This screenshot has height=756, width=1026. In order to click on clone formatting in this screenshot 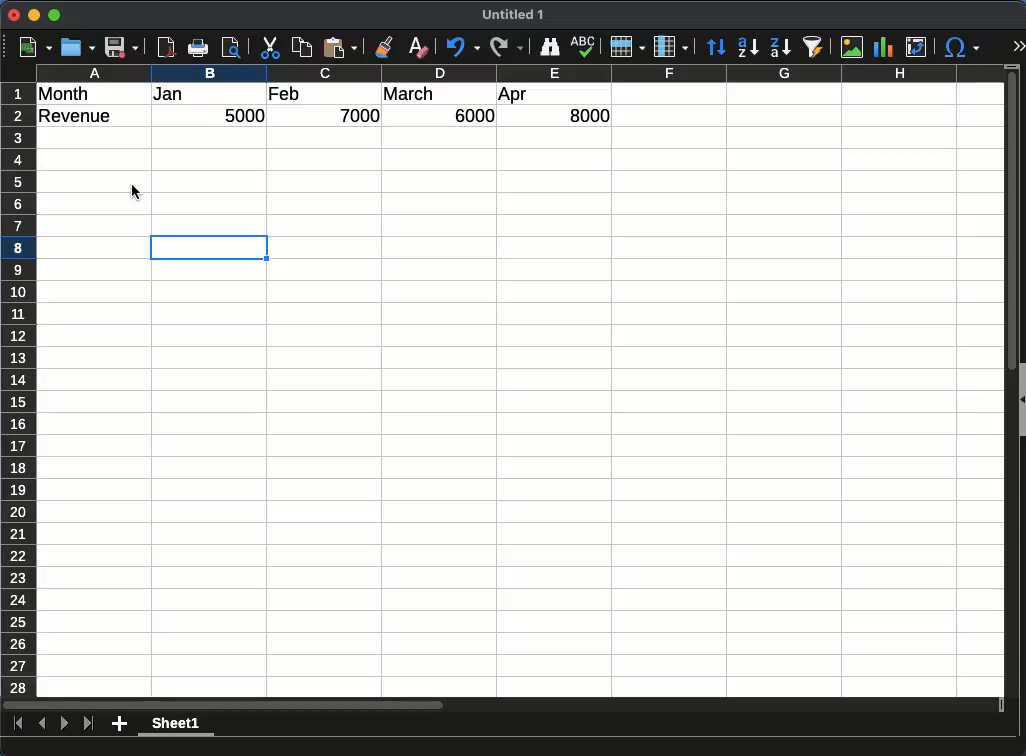, I will do `click(383, 47)`.